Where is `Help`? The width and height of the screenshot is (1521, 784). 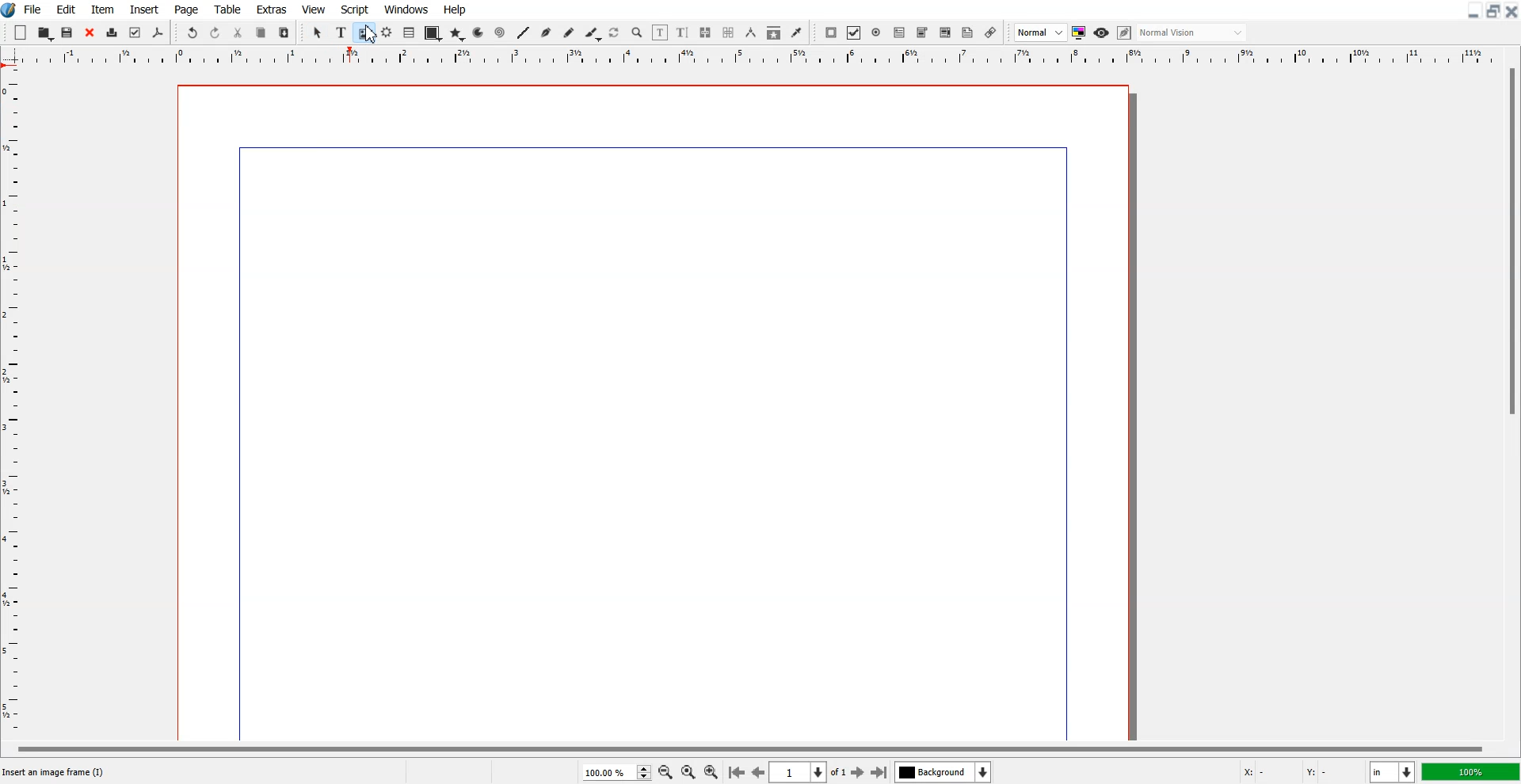
Help is located at coordinates (456, 10).